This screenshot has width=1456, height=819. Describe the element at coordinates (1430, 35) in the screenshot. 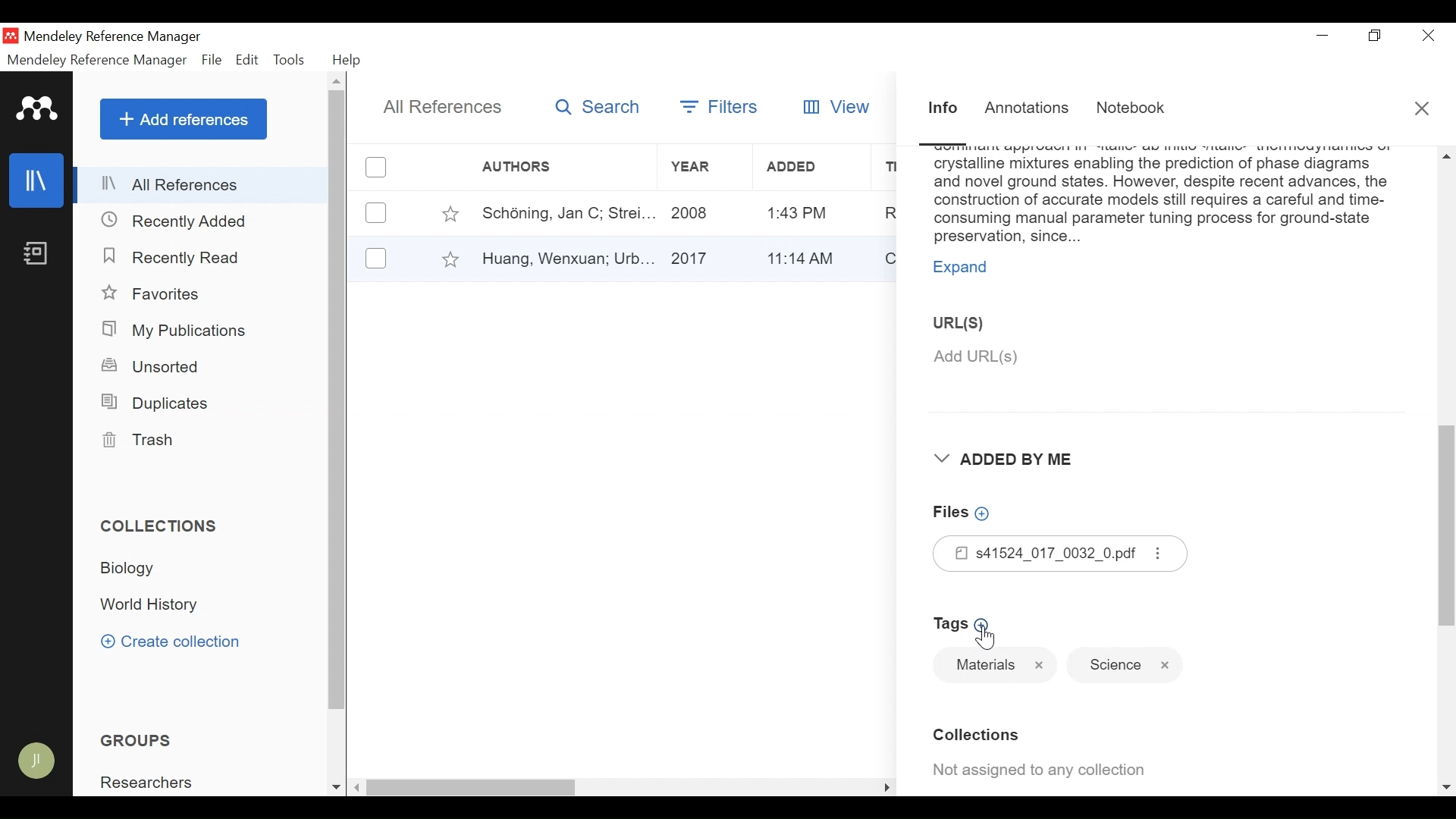

I see `Close` at that location.